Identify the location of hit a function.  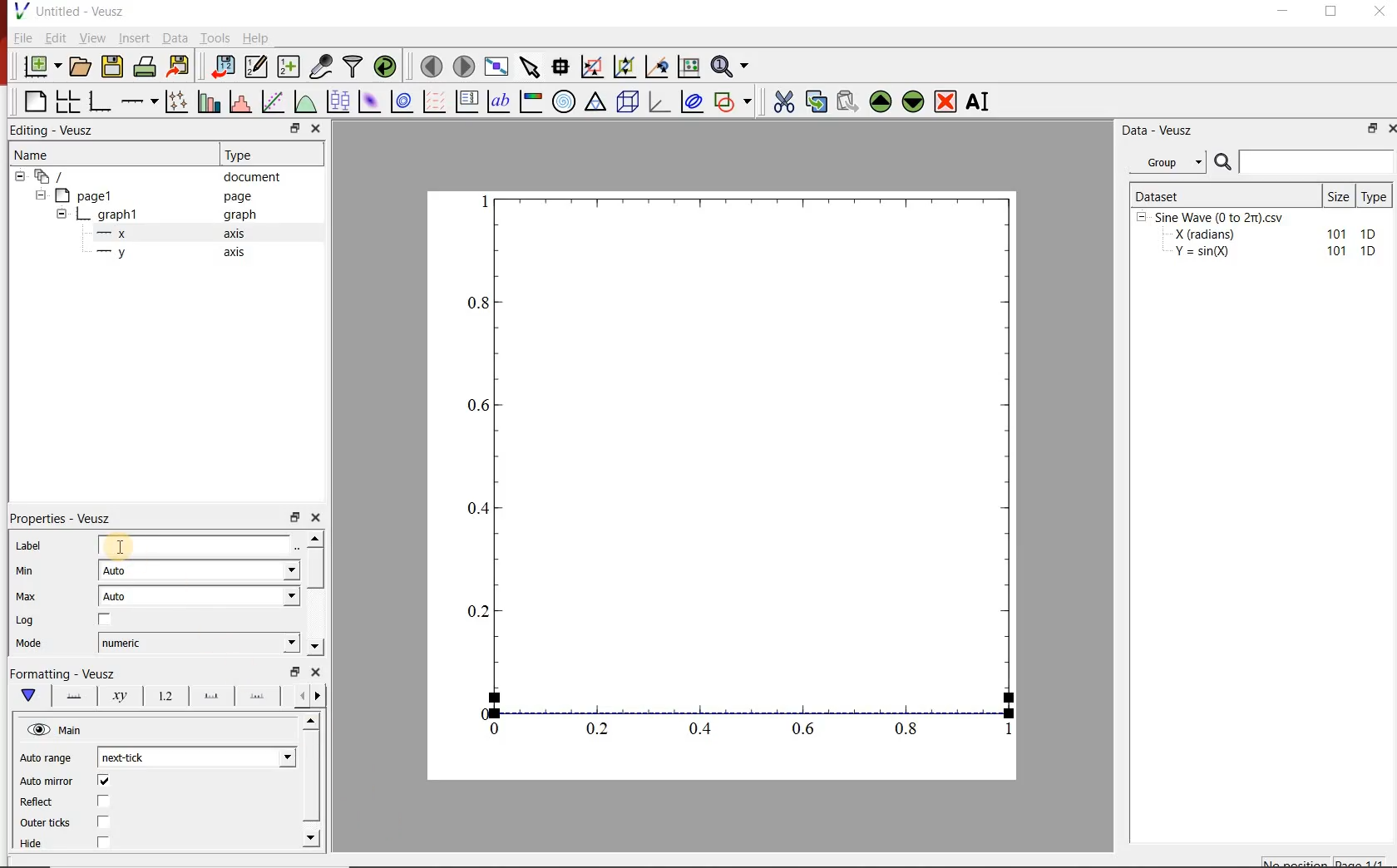
(274, 101).